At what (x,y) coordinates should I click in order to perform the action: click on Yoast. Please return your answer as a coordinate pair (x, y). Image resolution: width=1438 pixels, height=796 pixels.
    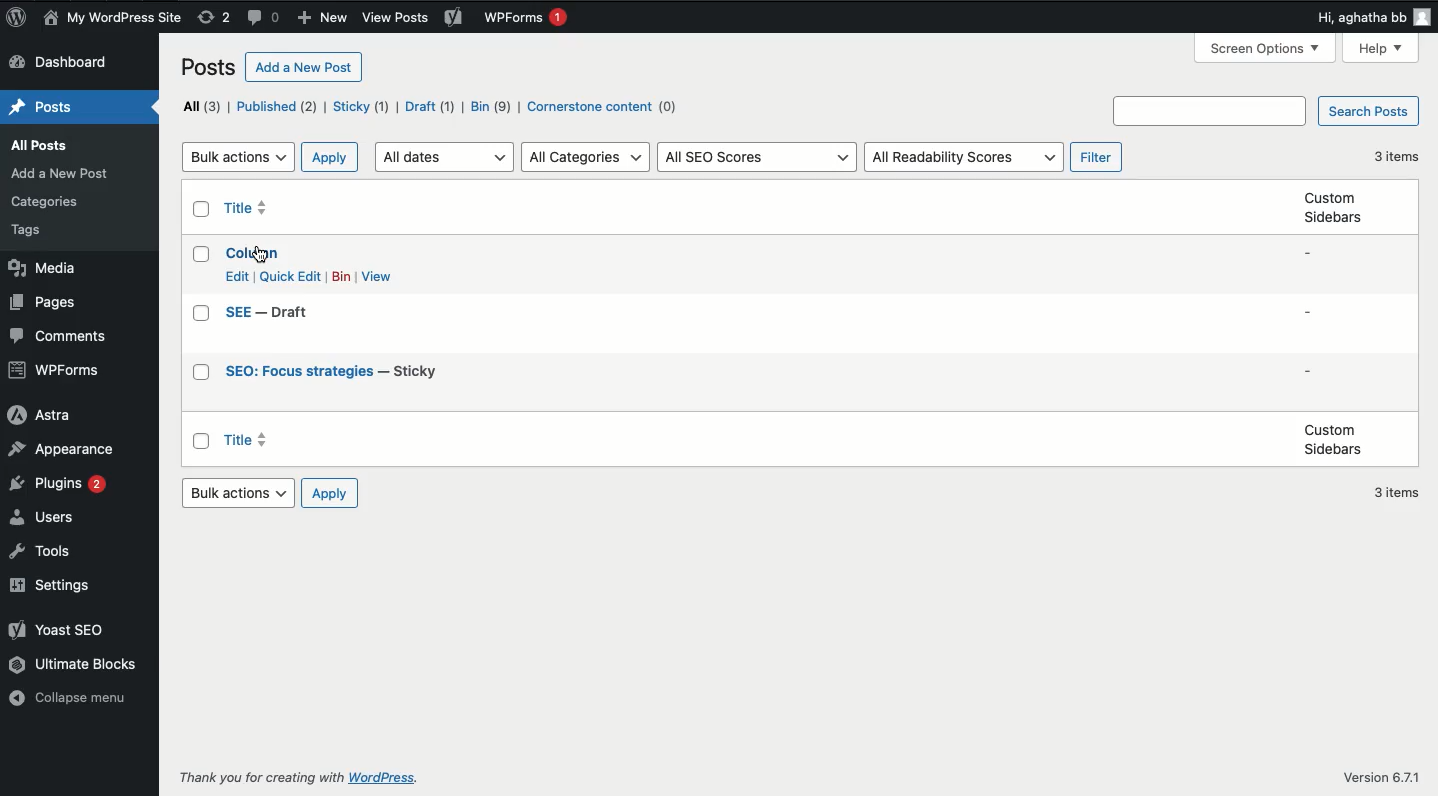
    Looking at the image, I should click on (60, 629).